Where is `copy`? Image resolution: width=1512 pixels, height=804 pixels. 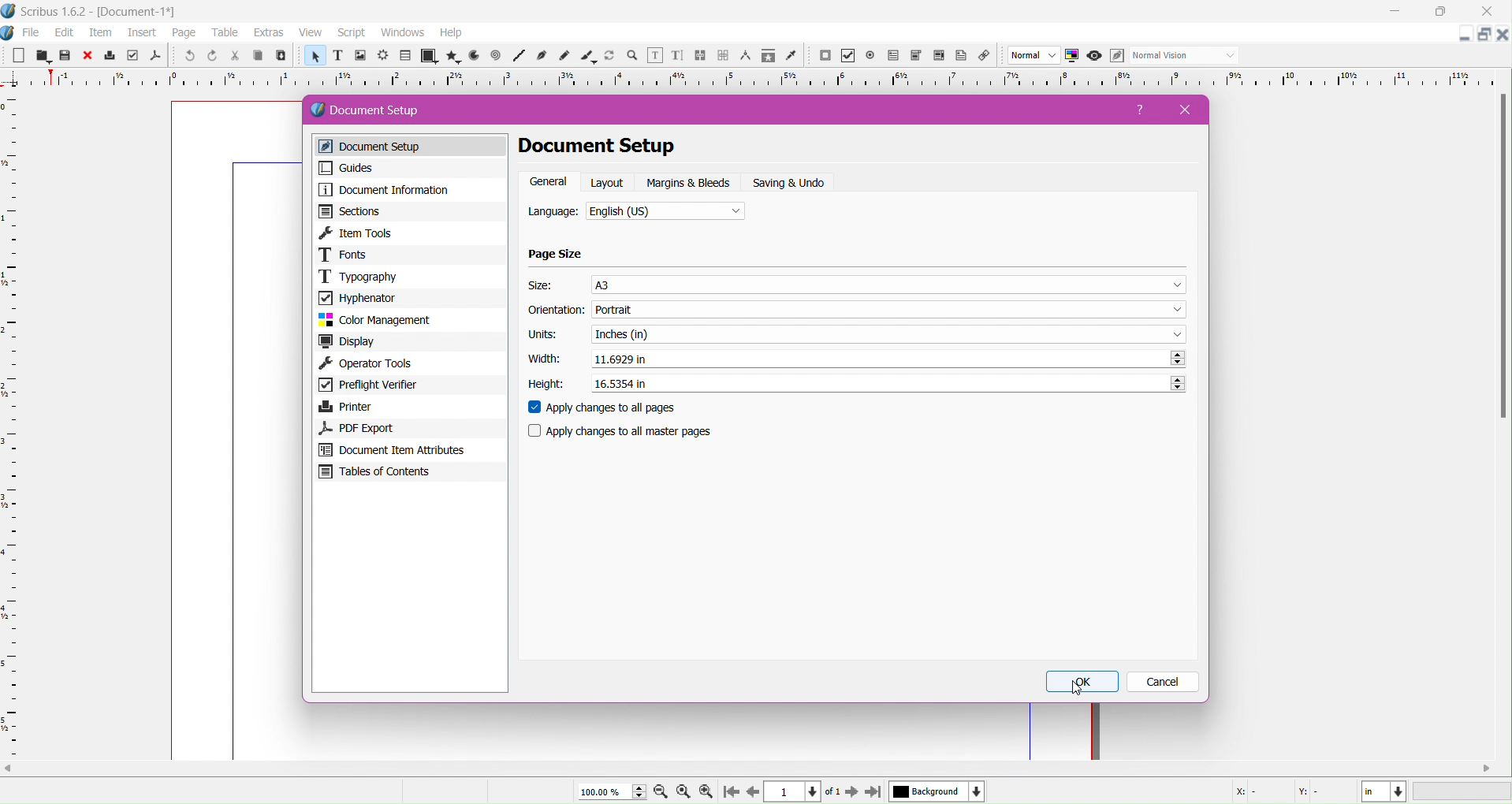
copy is located at coordinates (255, 57).